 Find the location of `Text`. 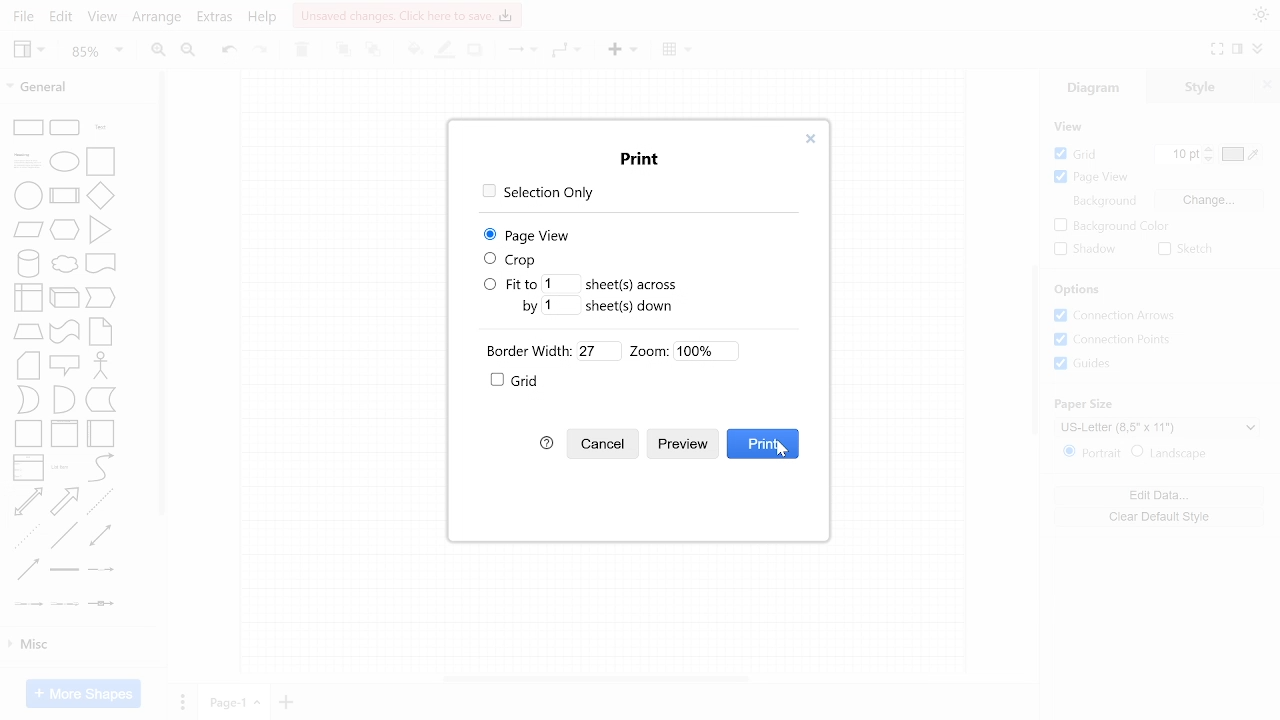

Text is located at coordinates (101, 127).